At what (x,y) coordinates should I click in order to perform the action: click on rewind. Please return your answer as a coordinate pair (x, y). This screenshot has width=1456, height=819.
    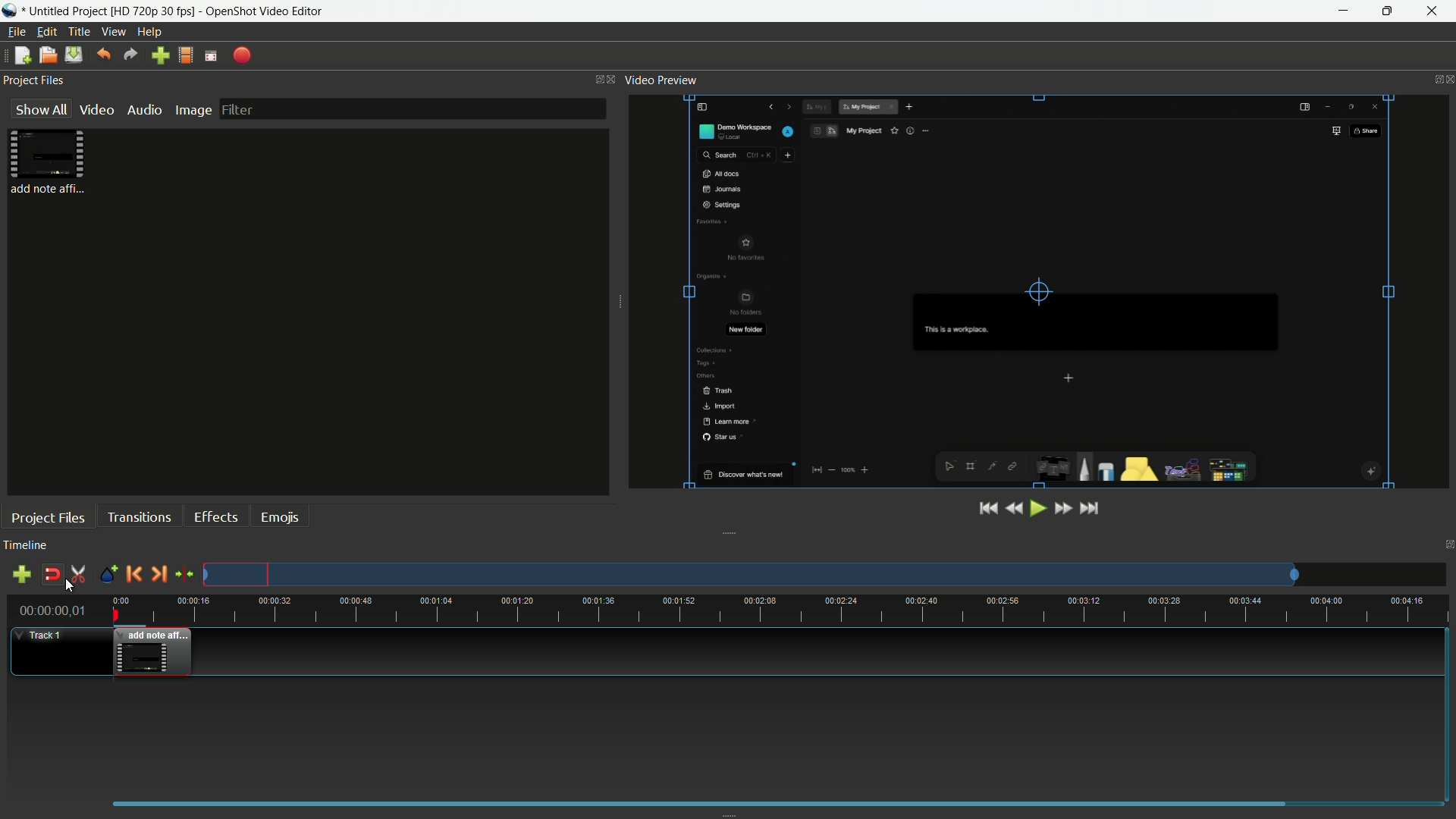
    Looking at the image, I should click on (1013, 509).